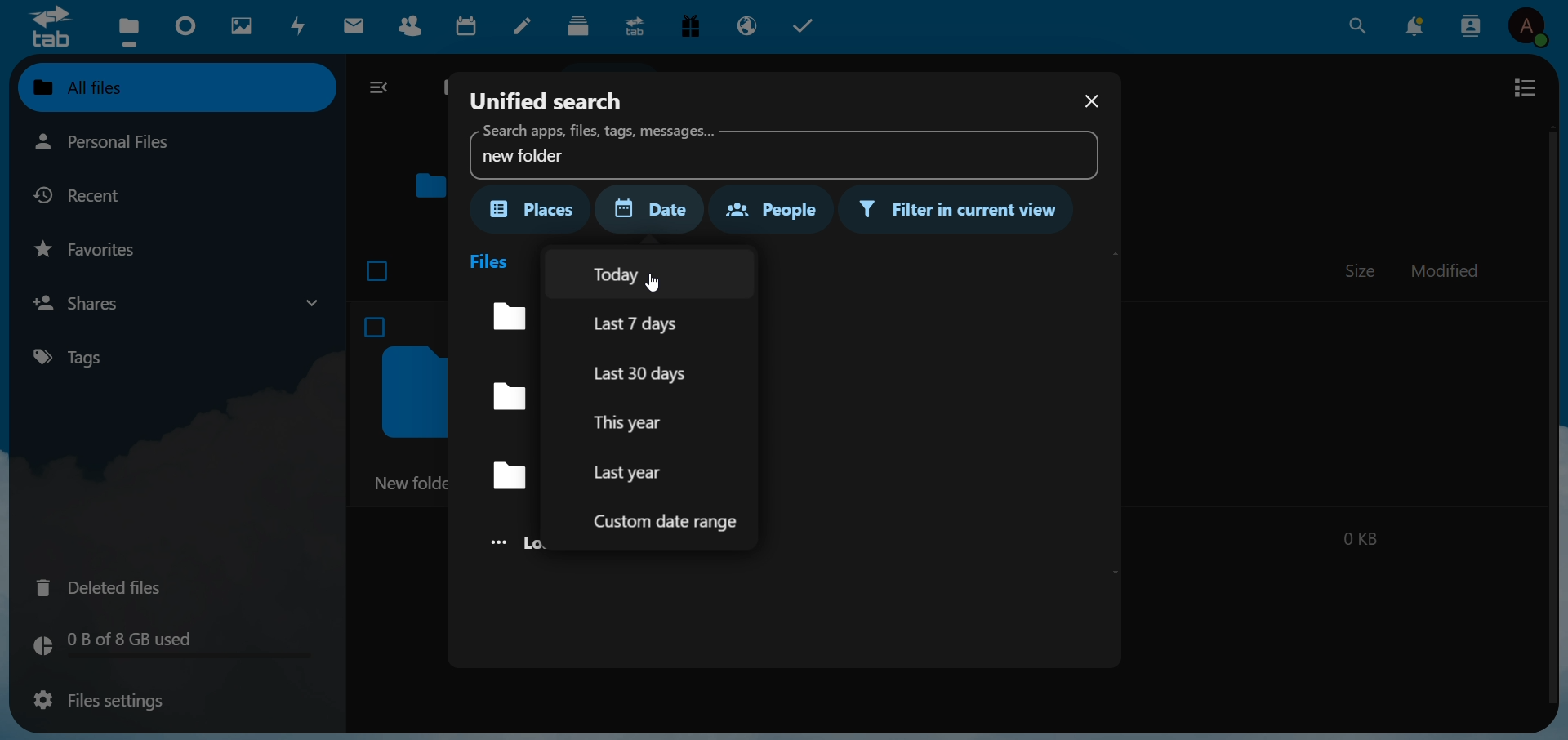 Image resolution: width=1568 pixels, height=740 pixels. What do you see at coordinates (168, 645) in the screenshot?
I see `memory used` at bounding box center [168, 645].